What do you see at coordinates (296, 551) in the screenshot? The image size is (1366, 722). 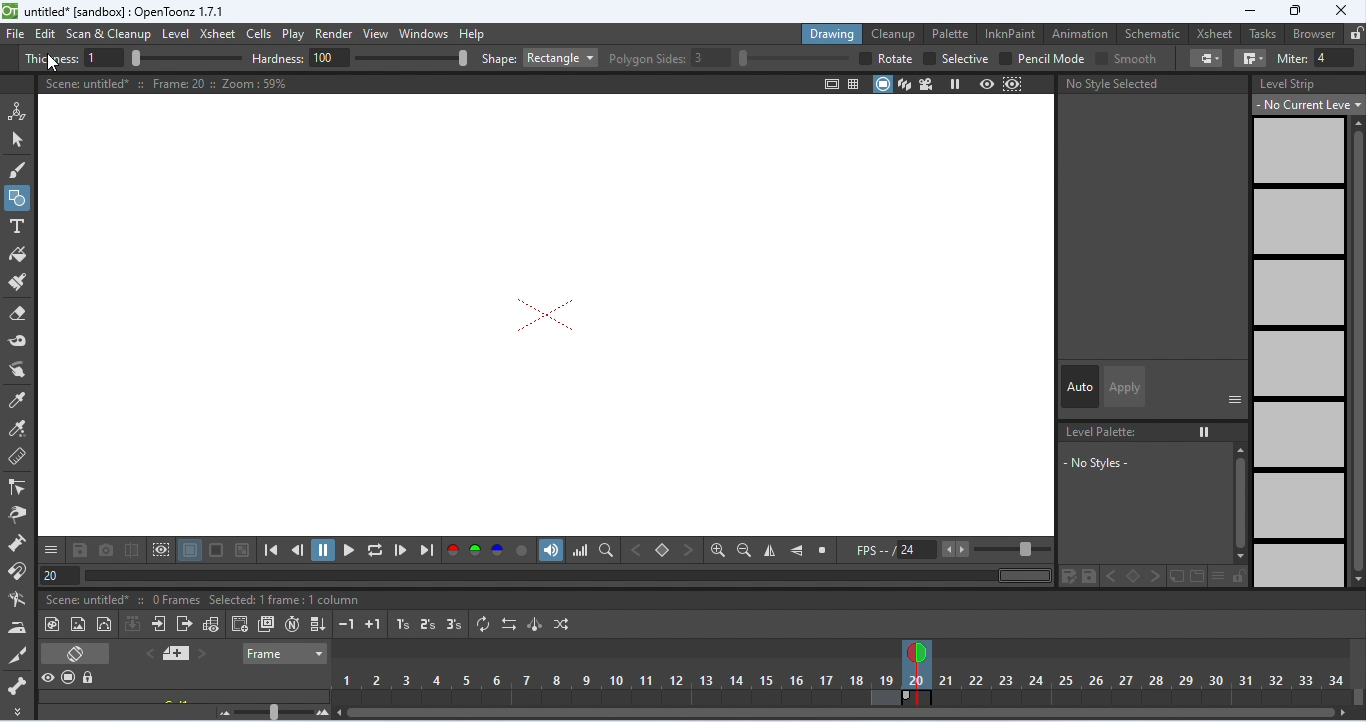 I see `previous frame` at bounding box center [296, 551].